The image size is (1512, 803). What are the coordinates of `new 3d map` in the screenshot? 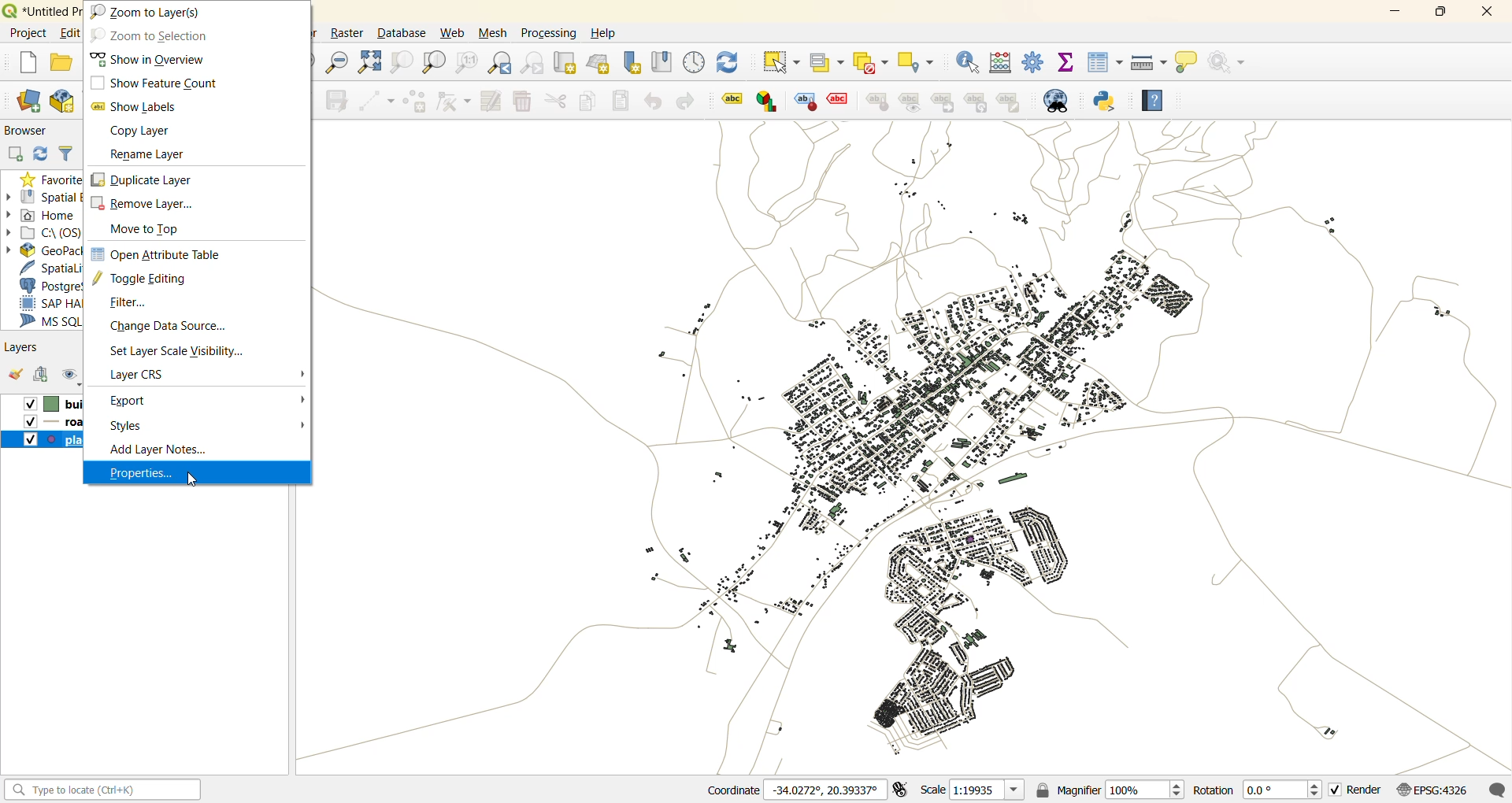 It's located at (599, 63).